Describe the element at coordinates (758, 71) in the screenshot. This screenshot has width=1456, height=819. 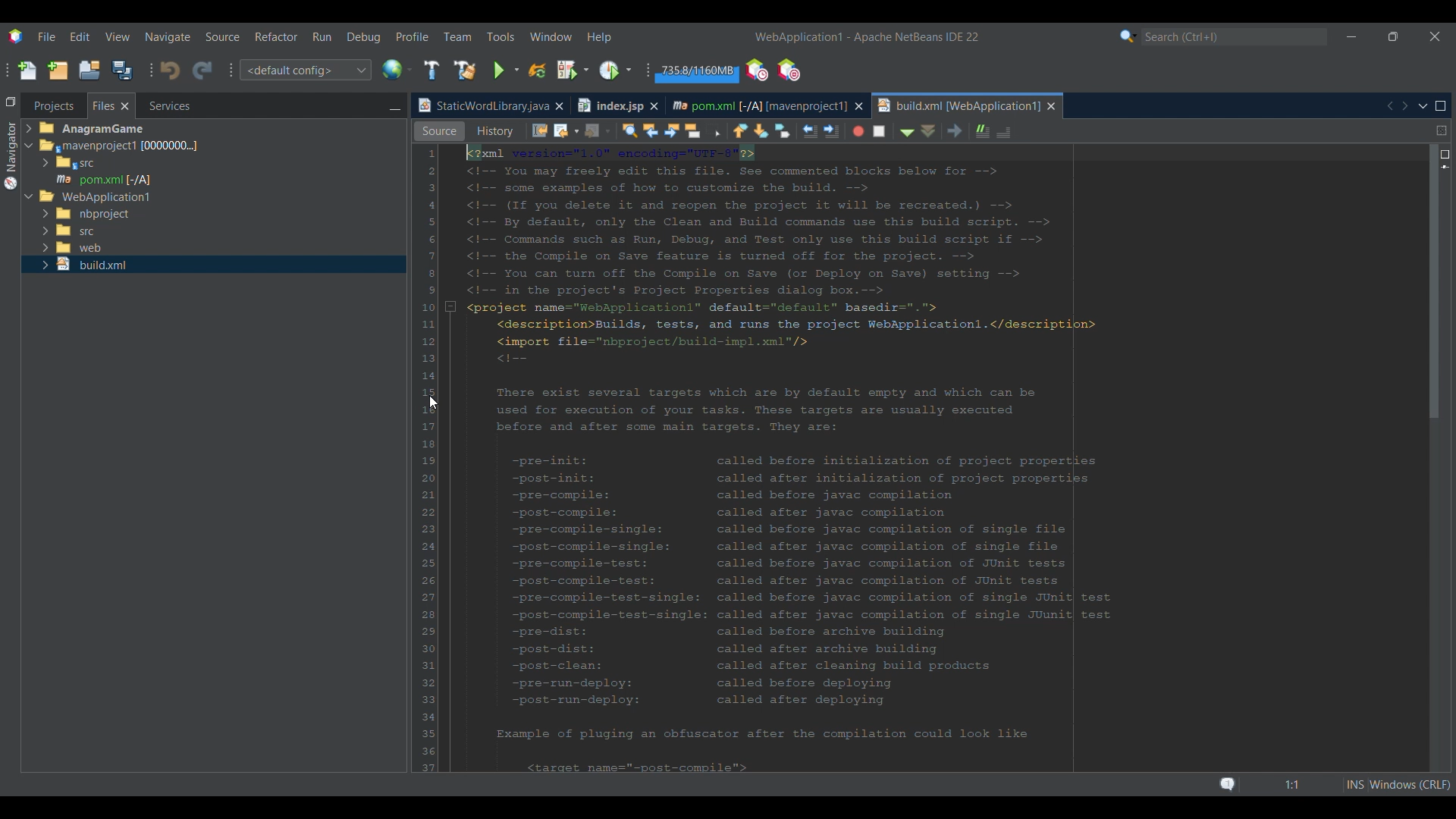
I see `Profile the IDE` at that location.